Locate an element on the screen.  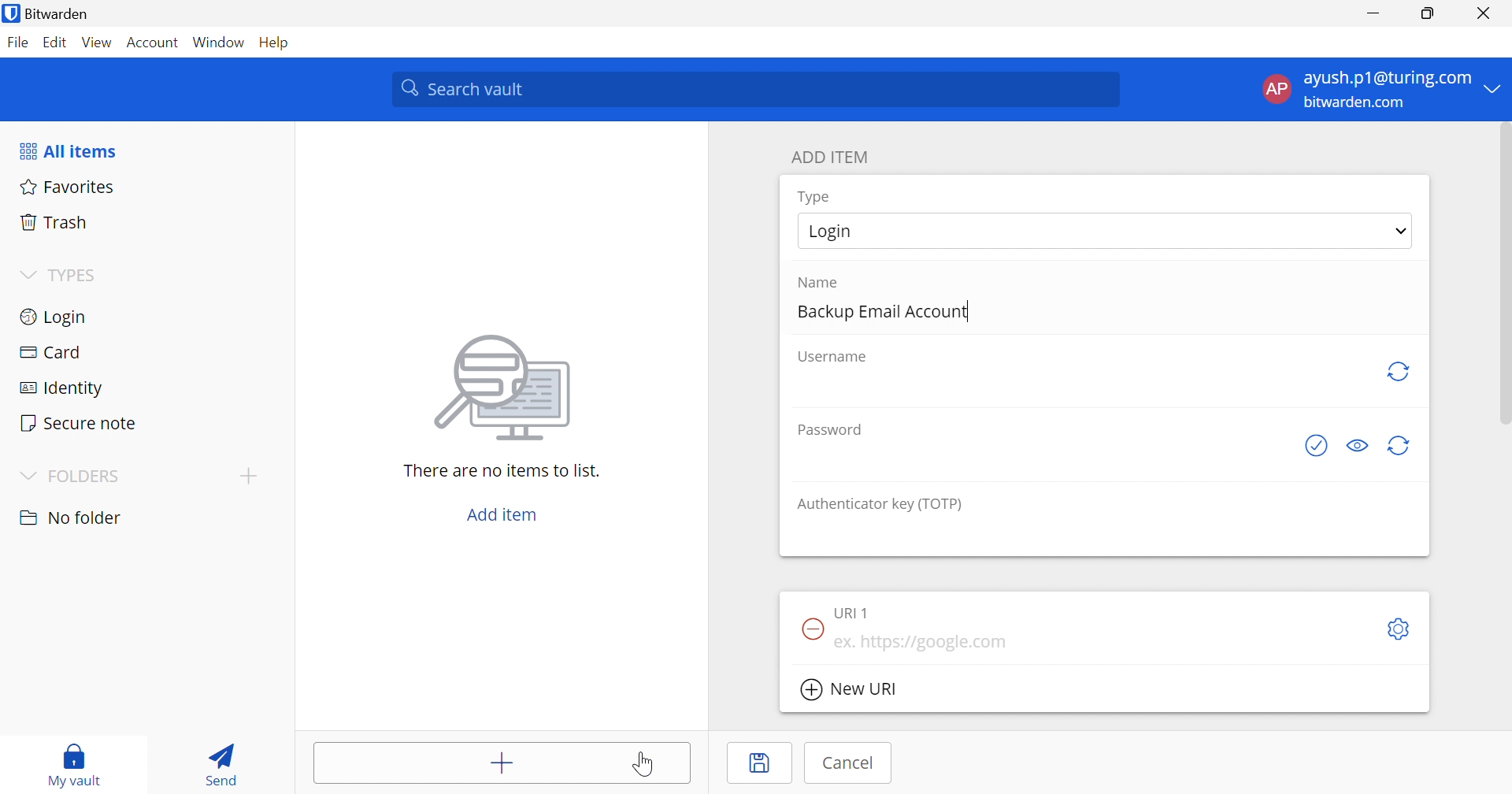
TYPES is located at coordinates (74, 274).